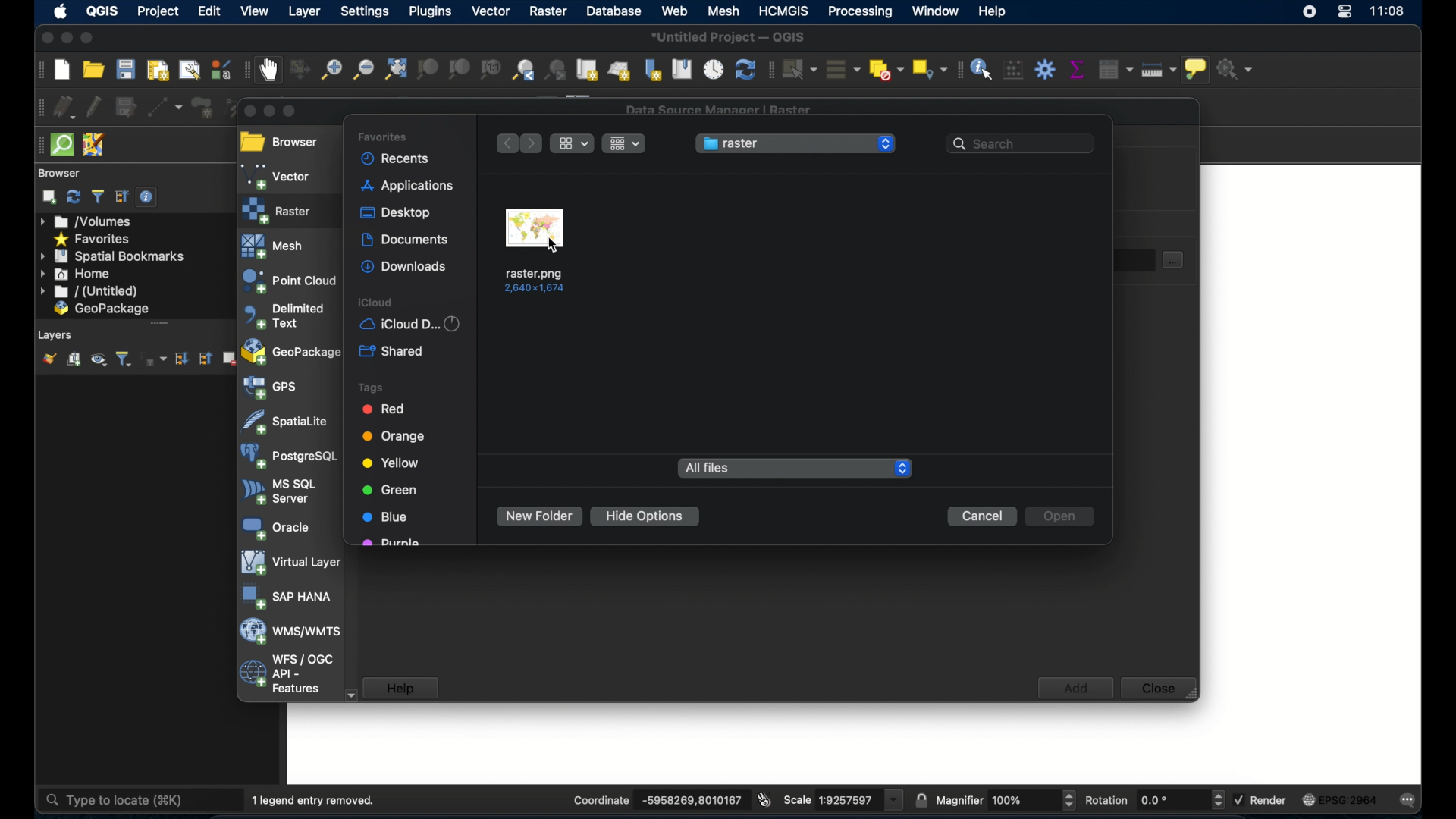  Describe the element at coordinates (380, 133) in the screenshot. I see `favorites` at that location.